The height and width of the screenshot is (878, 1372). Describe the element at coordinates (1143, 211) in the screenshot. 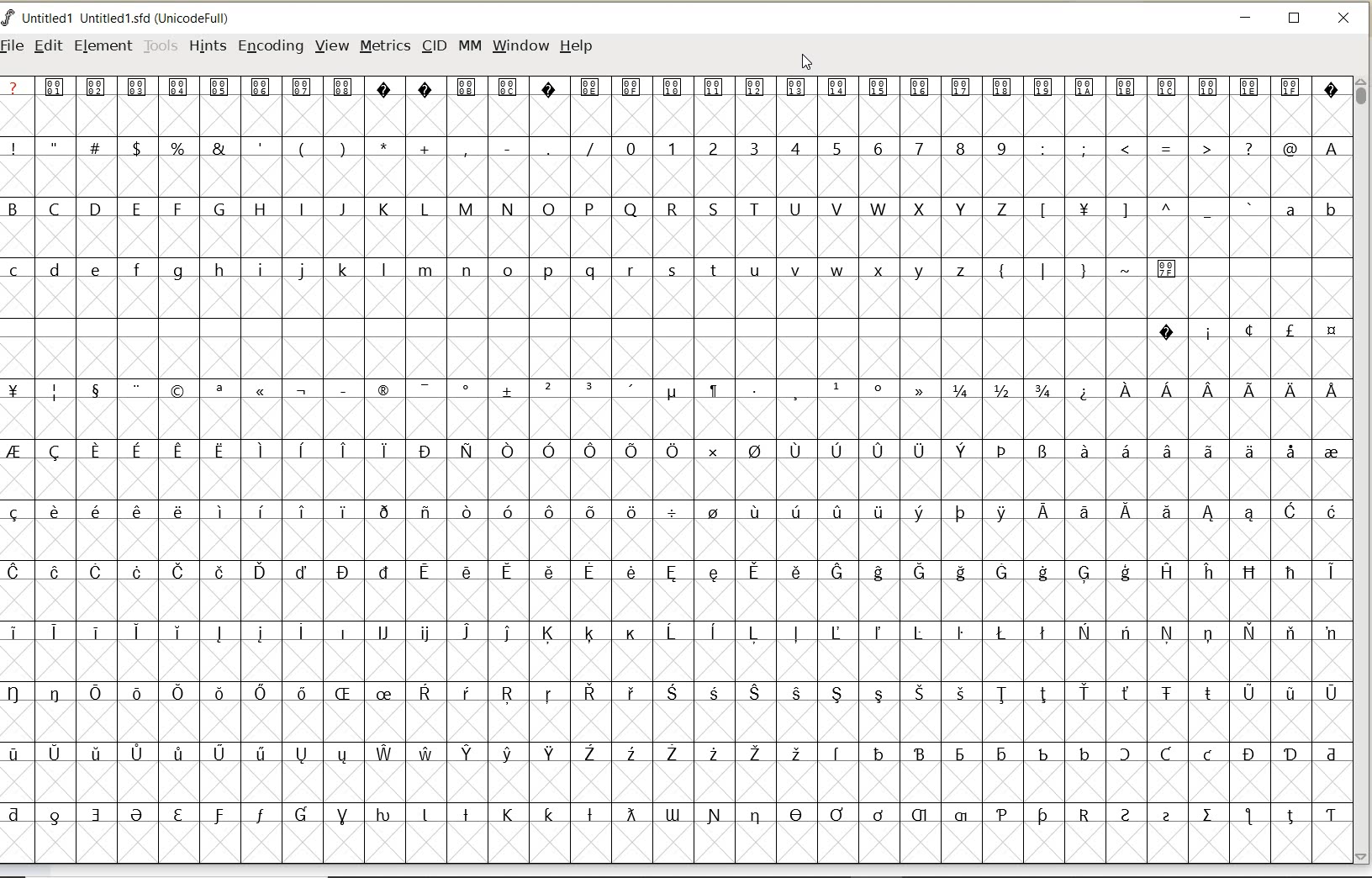

I see `` at that location.